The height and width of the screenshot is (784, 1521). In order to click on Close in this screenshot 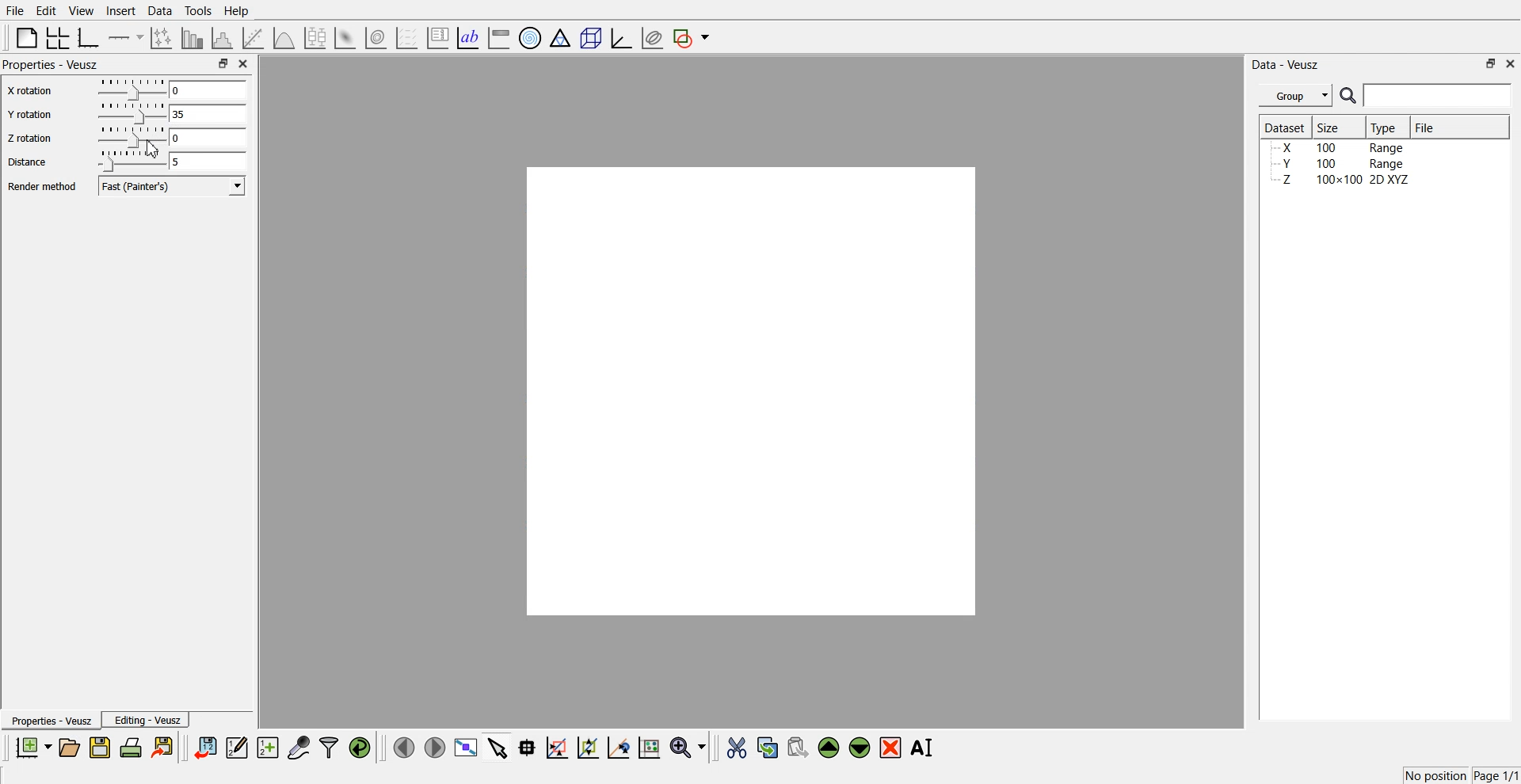, I will do `click(1511, 63)`.